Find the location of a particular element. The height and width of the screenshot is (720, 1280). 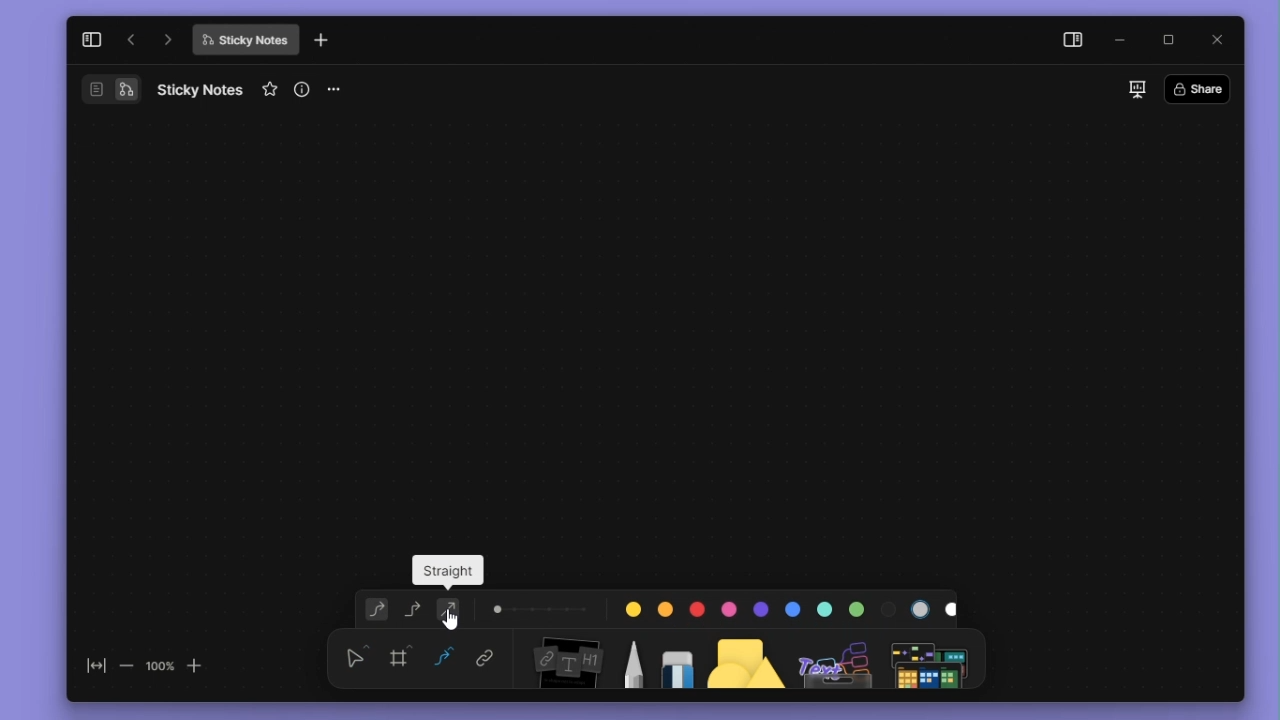

thickness is located at coordinates (541, 607).